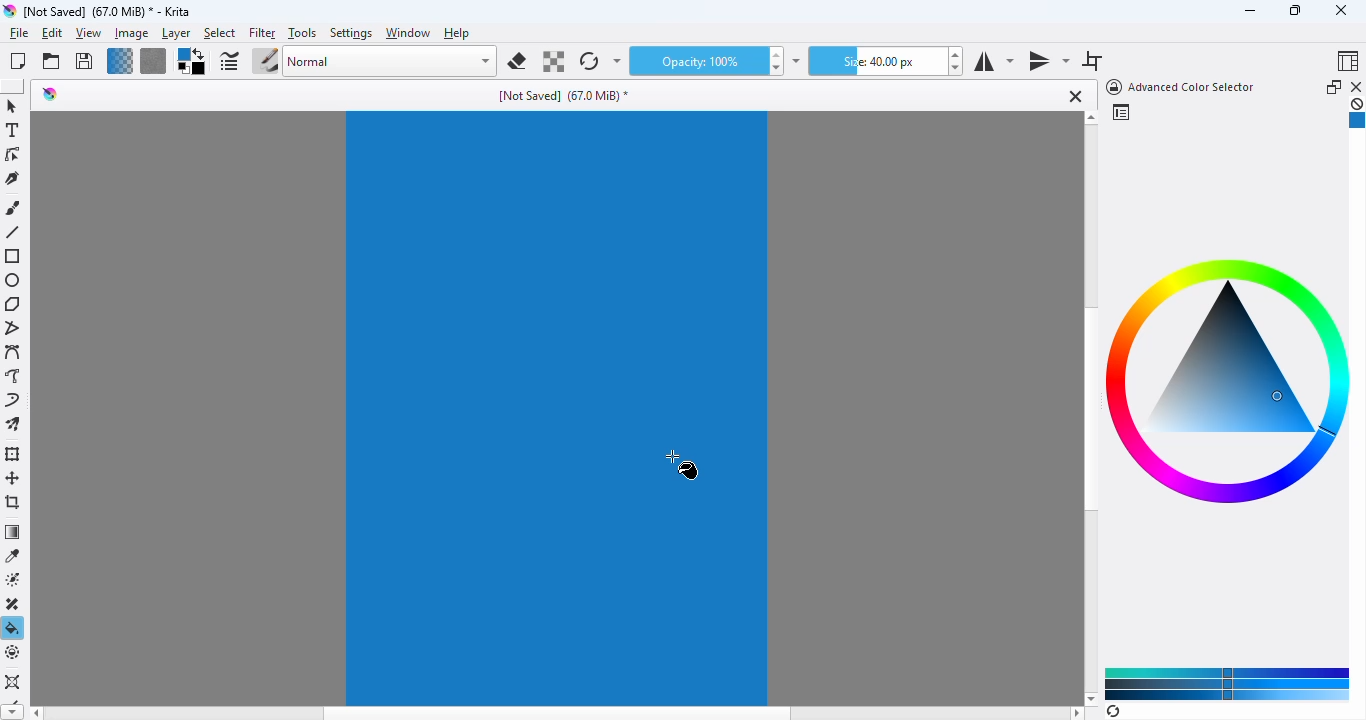  I want to click on rectangle tool, so click(14, 256).